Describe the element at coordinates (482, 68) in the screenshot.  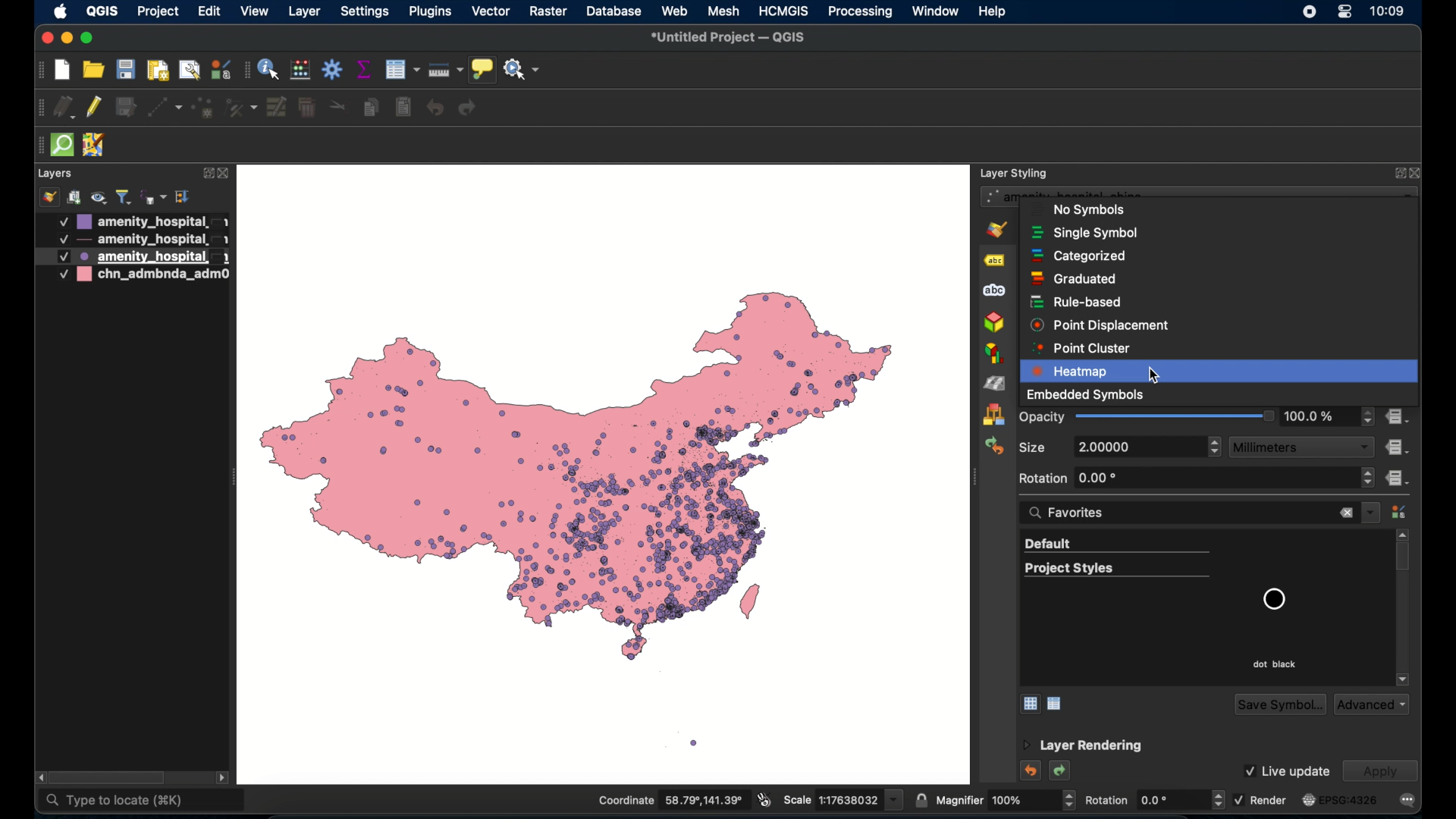
I see `show map tips` at that location.